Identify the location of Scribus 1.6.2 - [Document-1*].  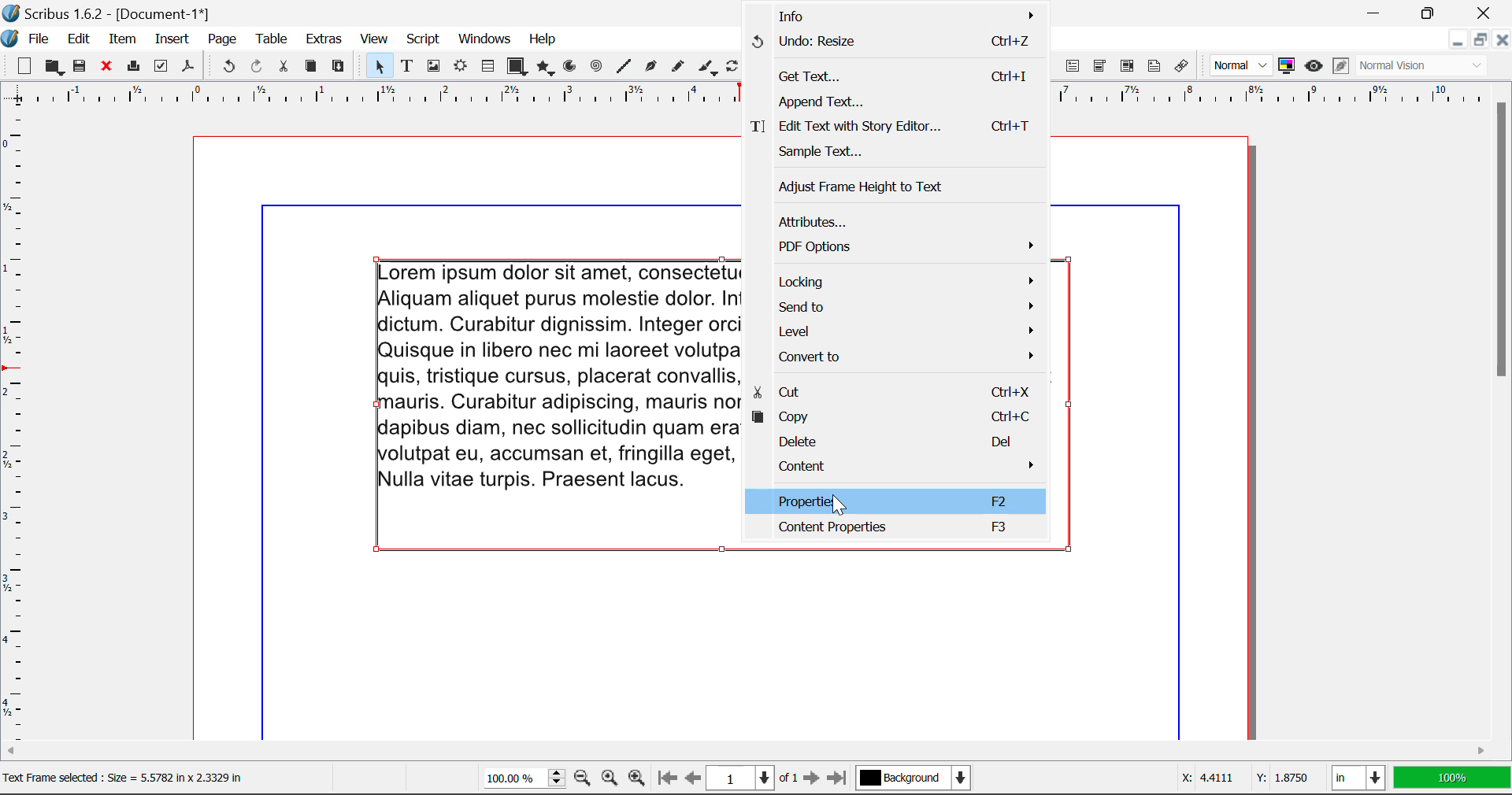
(107, 13).